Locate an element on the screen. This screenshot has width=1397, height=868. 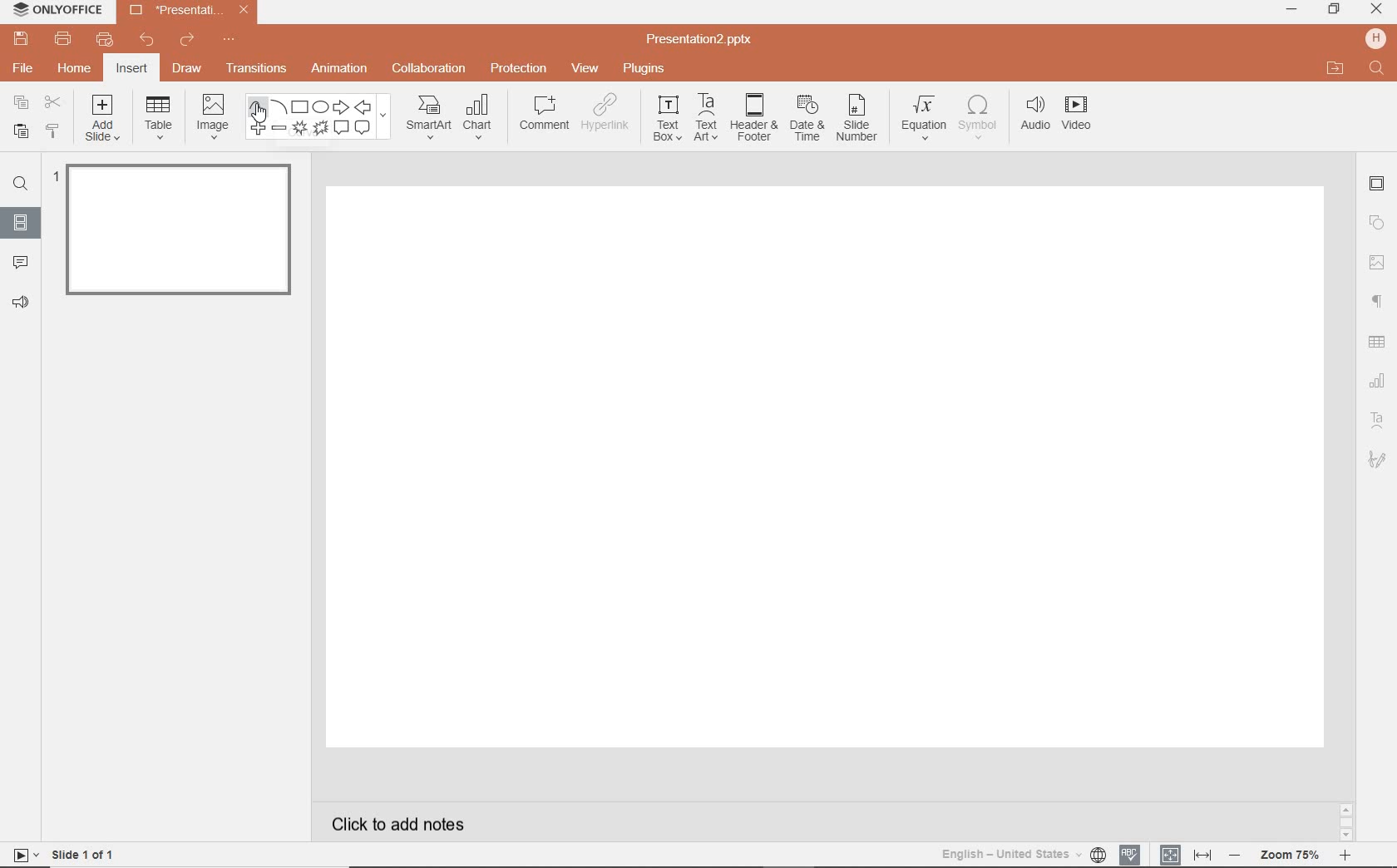
HOME is located at coordinates (73, 70).